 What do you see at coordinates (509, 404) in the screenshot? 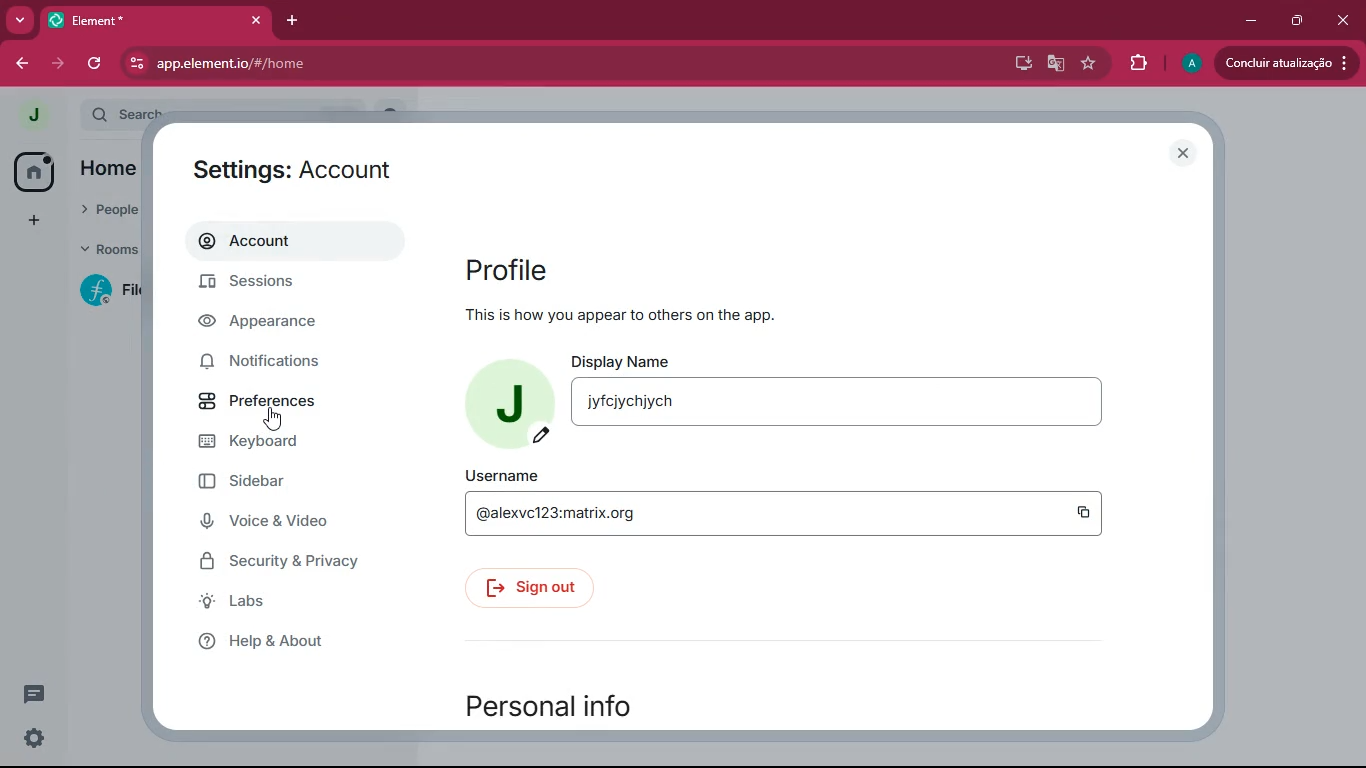
I see `profile picture` at bounding box center [509, 404].